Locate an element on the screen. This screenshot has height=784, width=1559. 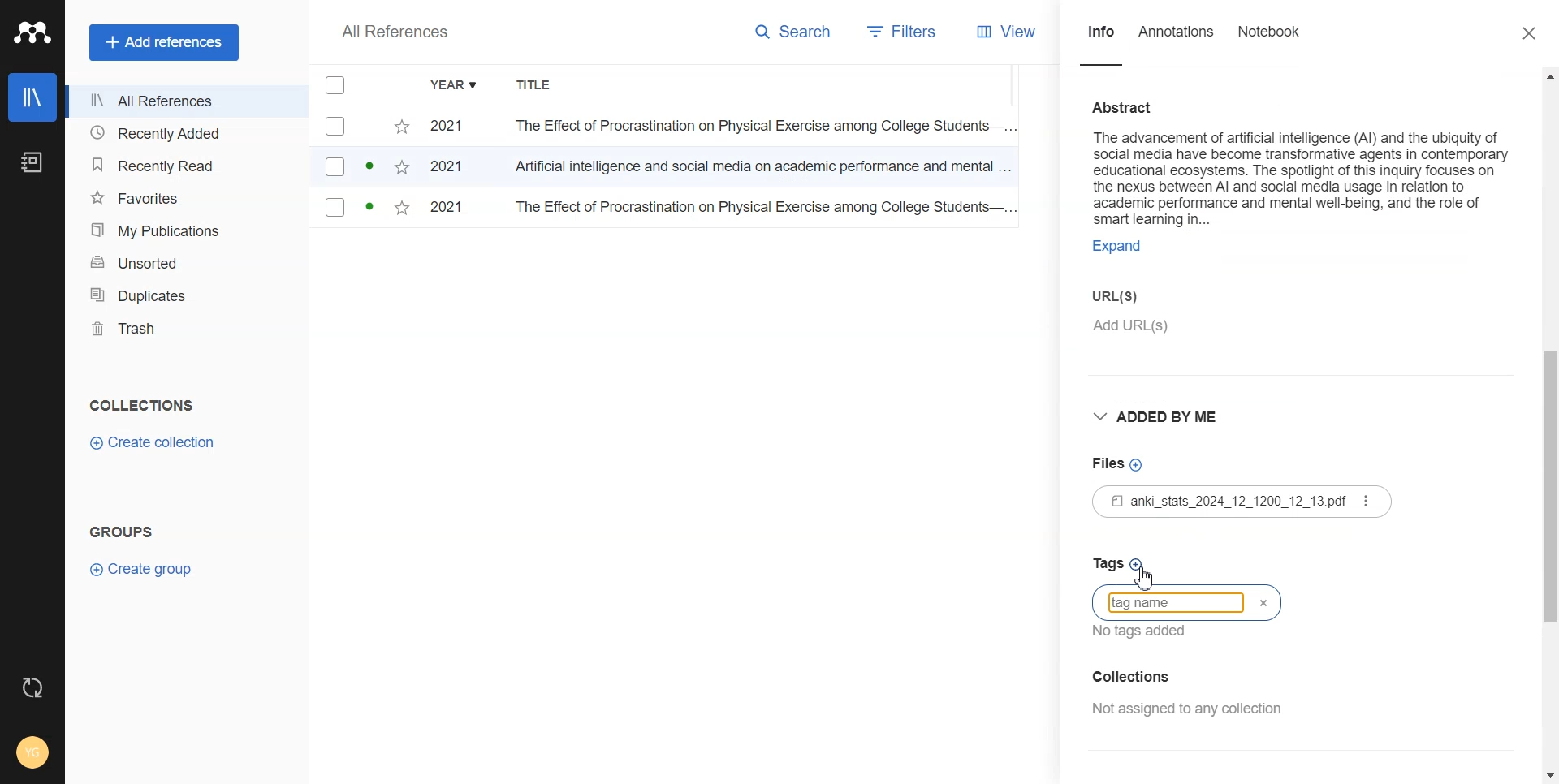
Duplicates is located at coordinates (186, 295).